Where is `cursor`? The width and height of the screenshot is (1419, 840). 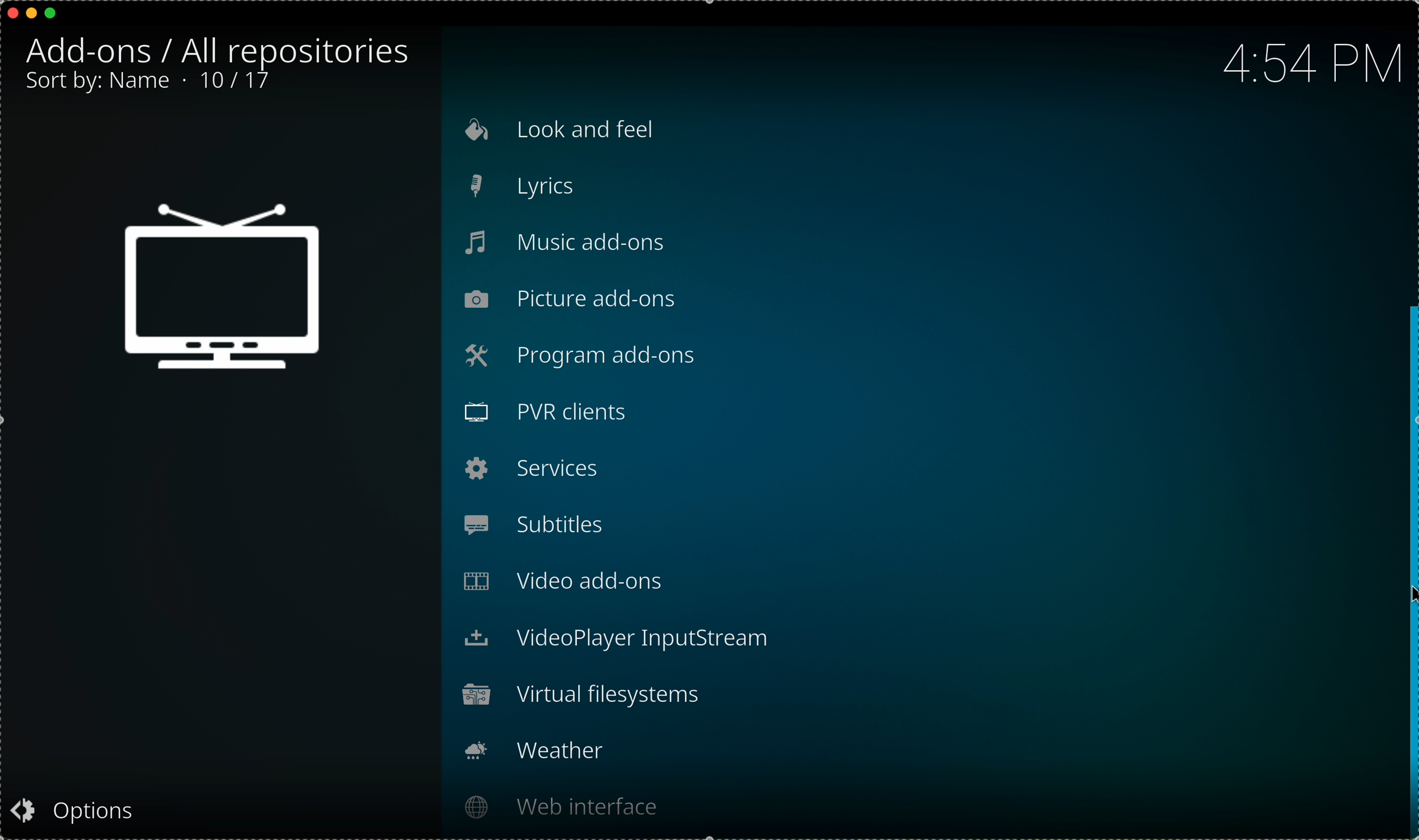 cursor is located at coordinates (1410, 596).